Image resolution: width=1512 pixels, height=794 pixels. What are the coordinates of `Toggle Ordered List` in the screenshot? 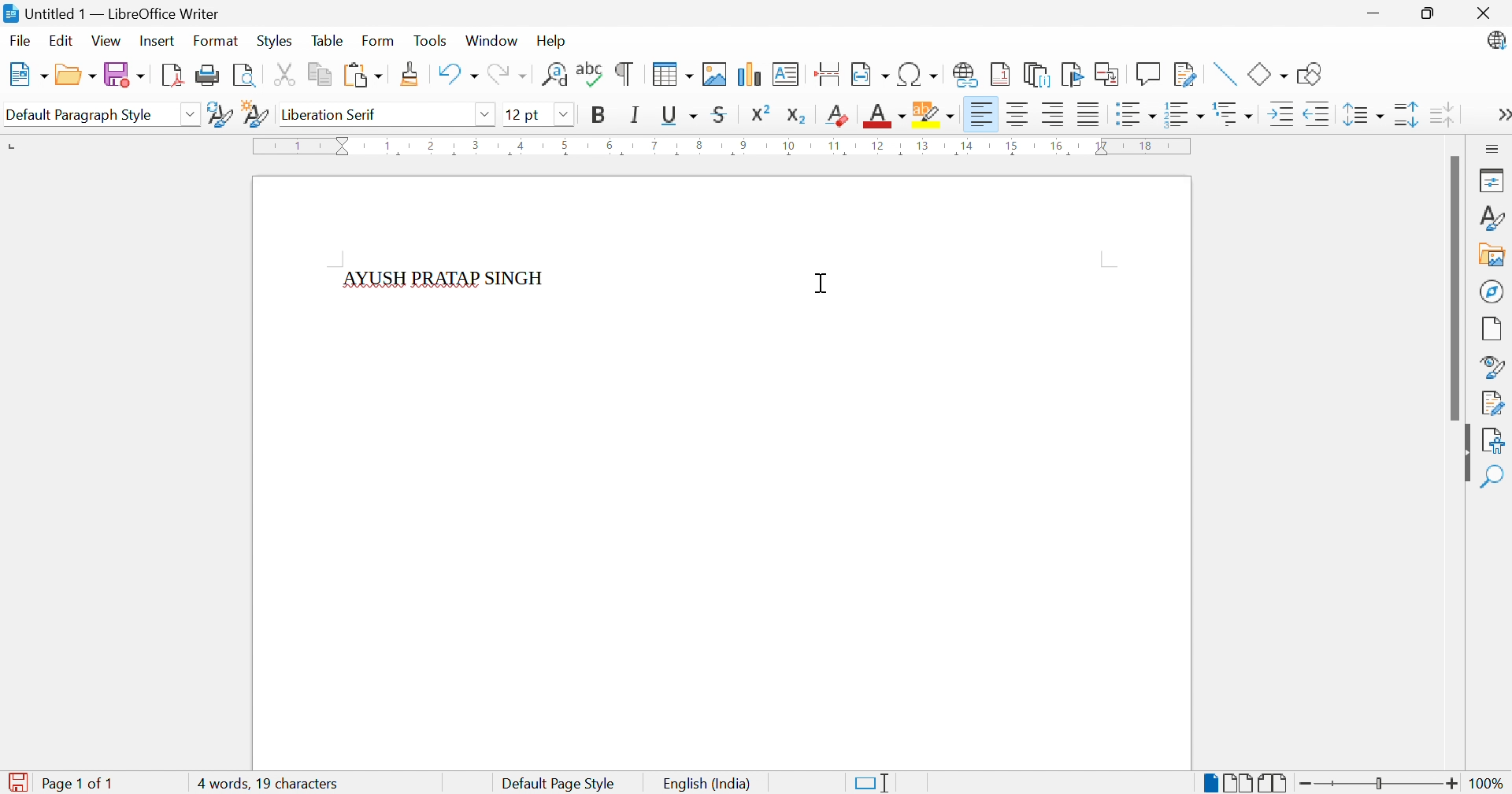 It's located at (1185, 113).